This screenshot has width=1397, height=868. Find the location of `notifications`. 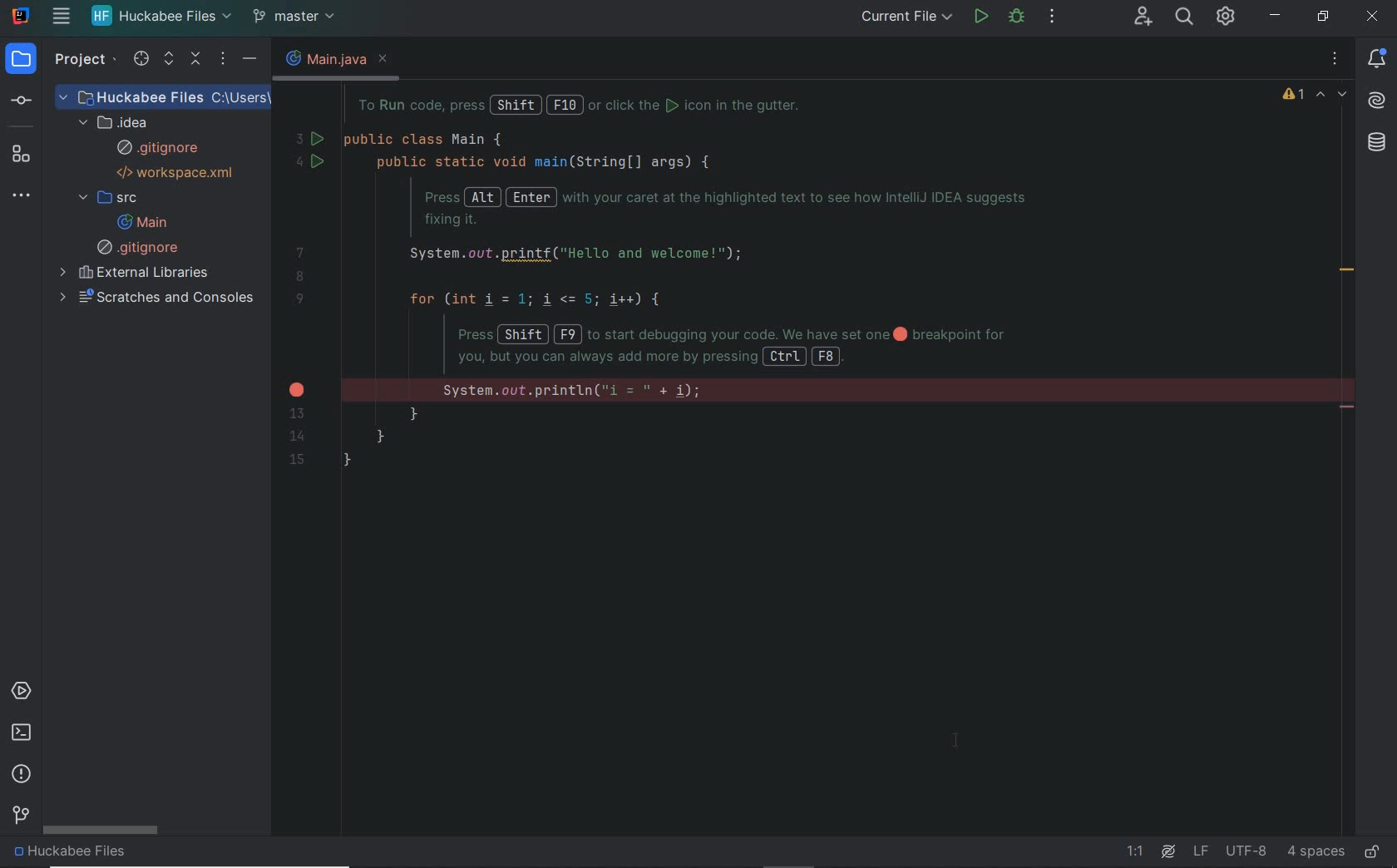

notifications is located at coordinates (1381, 57).